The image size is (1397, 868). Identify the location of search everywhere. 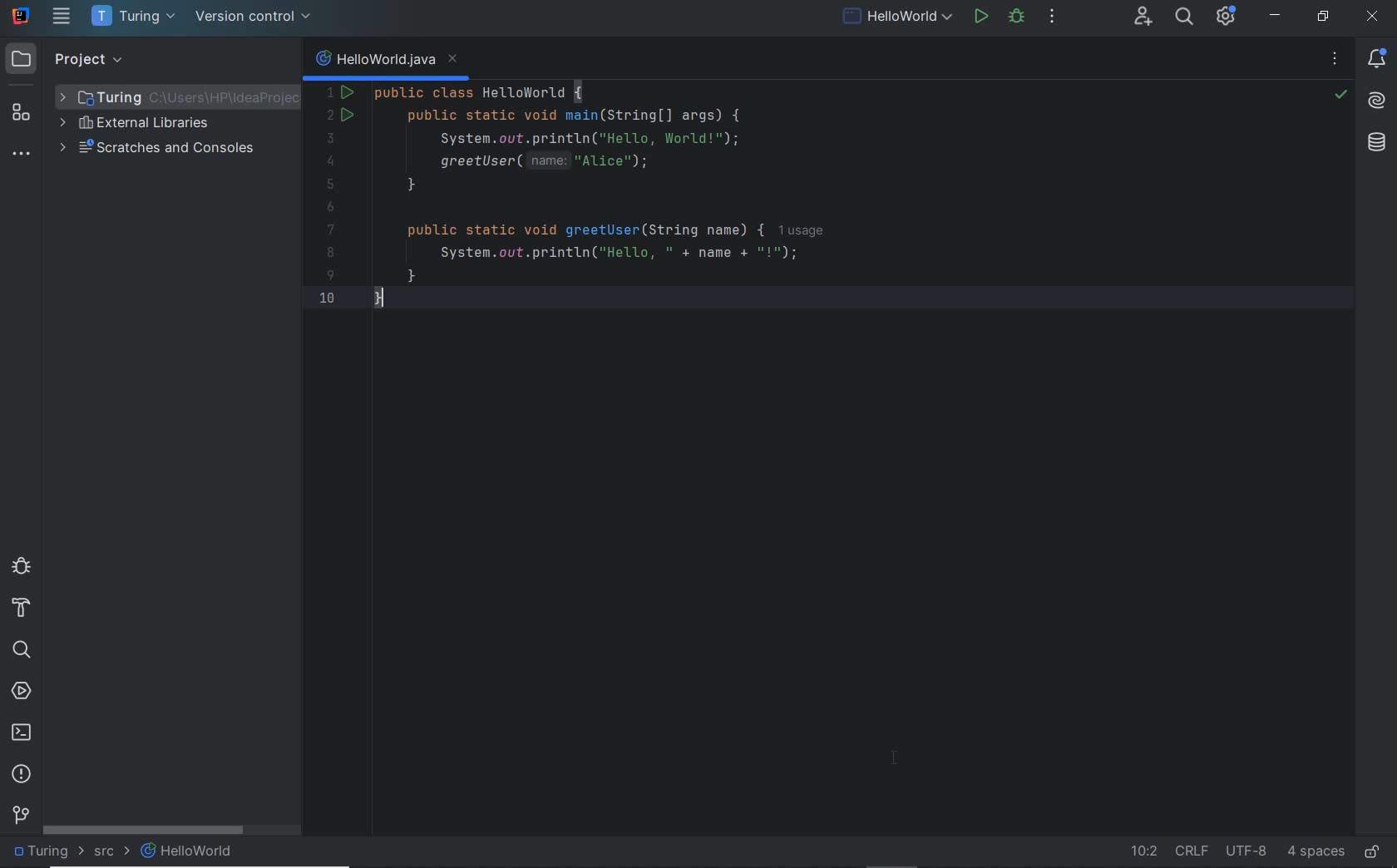
(1185, 18).